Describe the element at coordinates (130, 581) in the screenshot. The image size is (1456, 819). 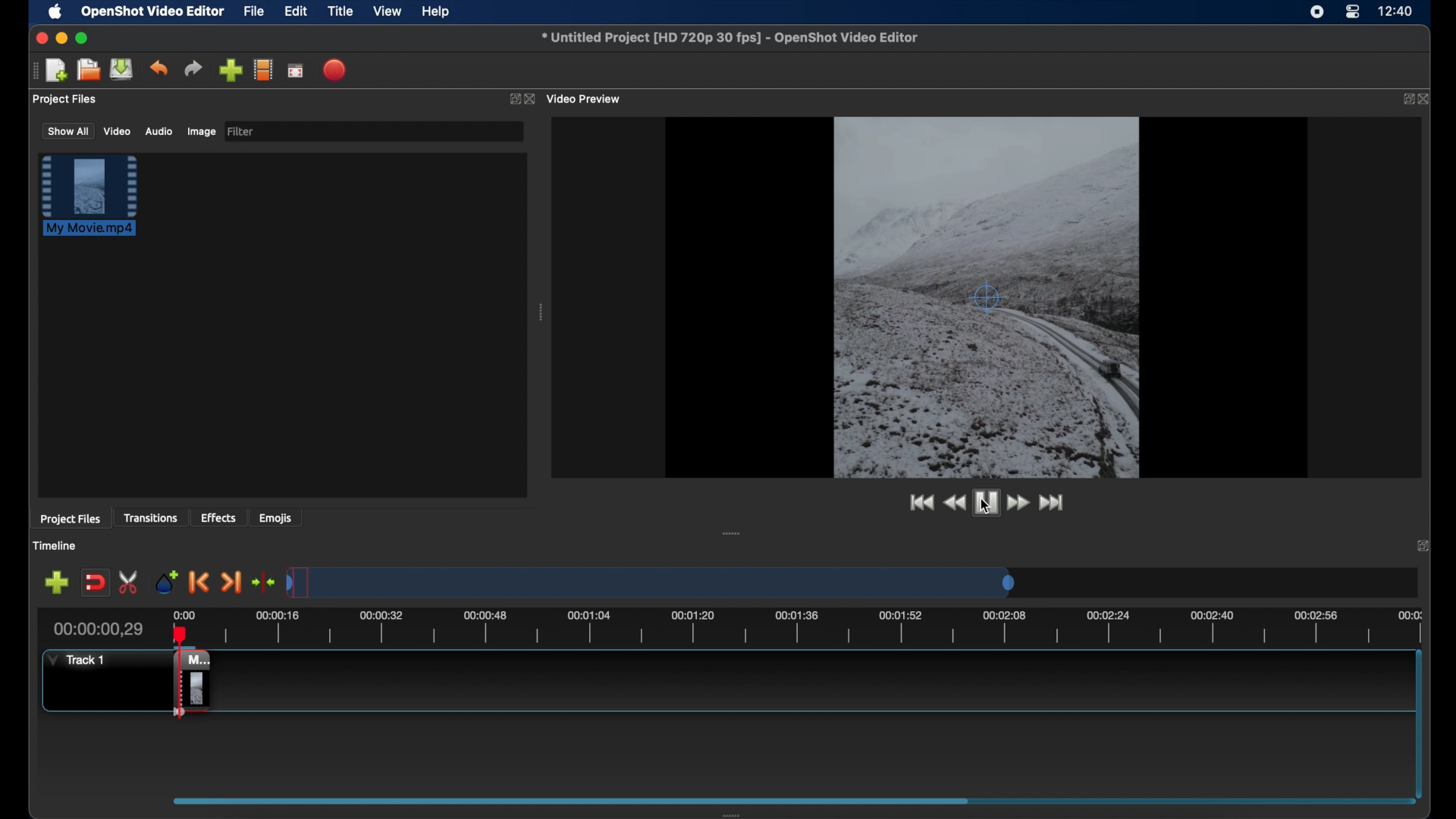
I see `enable razor` at that location.